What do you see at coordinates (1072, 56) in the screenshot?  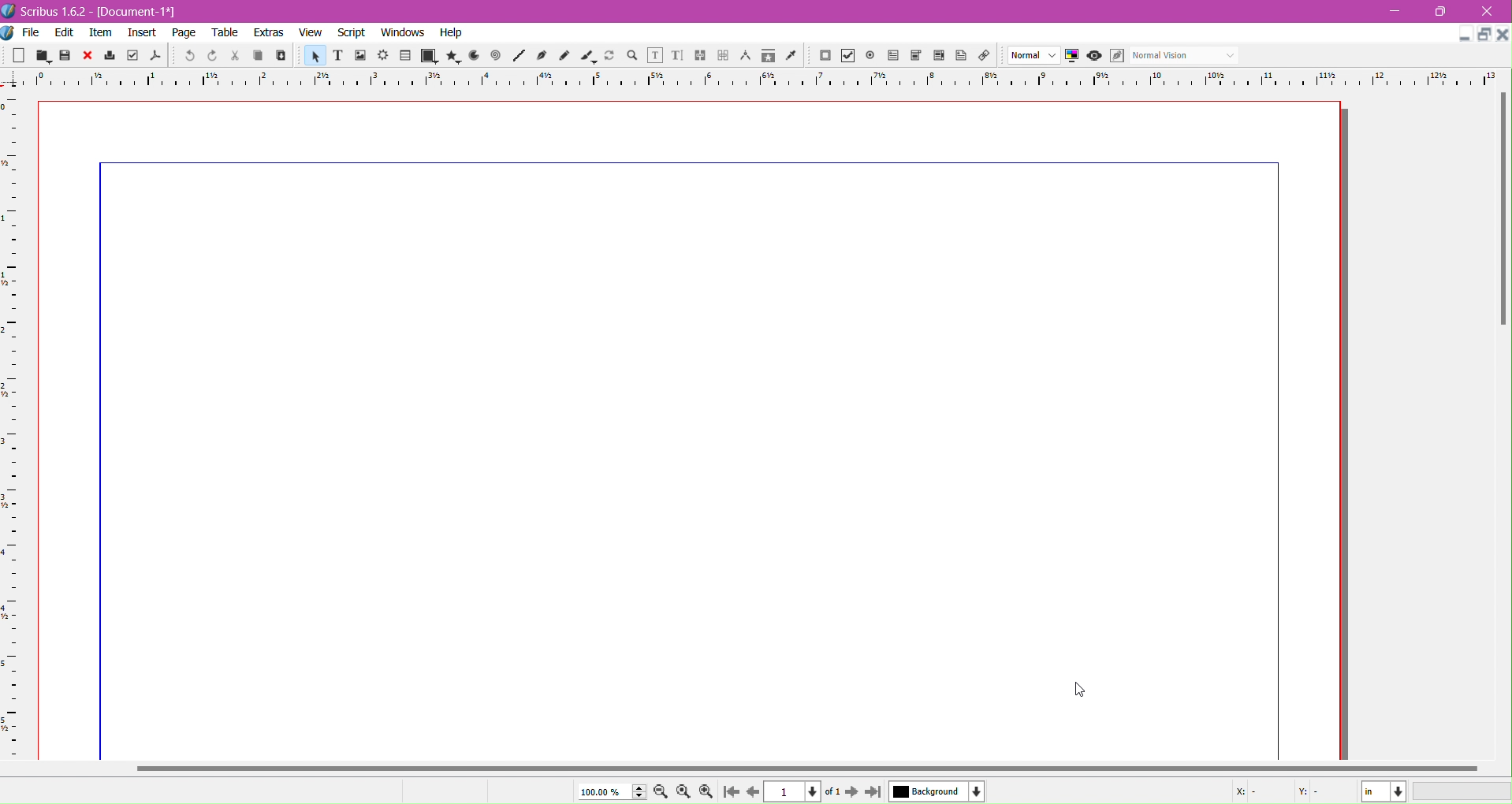 I see `color management system` at bounding box center [1072, 56].